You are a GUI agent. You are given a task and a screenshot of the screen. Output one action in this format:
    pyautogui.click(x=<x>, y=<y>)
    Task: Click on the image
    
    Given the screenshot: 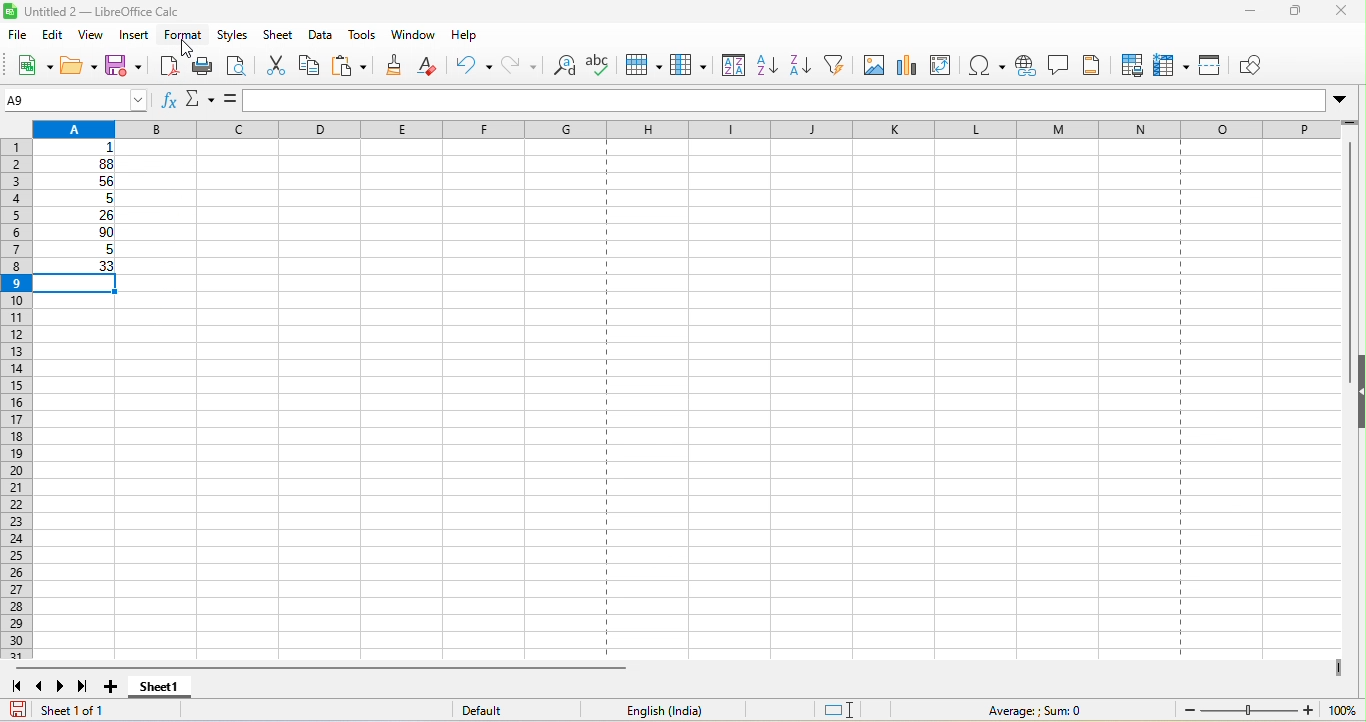 What is the action you would take?
    pyautogui.click(x=872, y=64)
    